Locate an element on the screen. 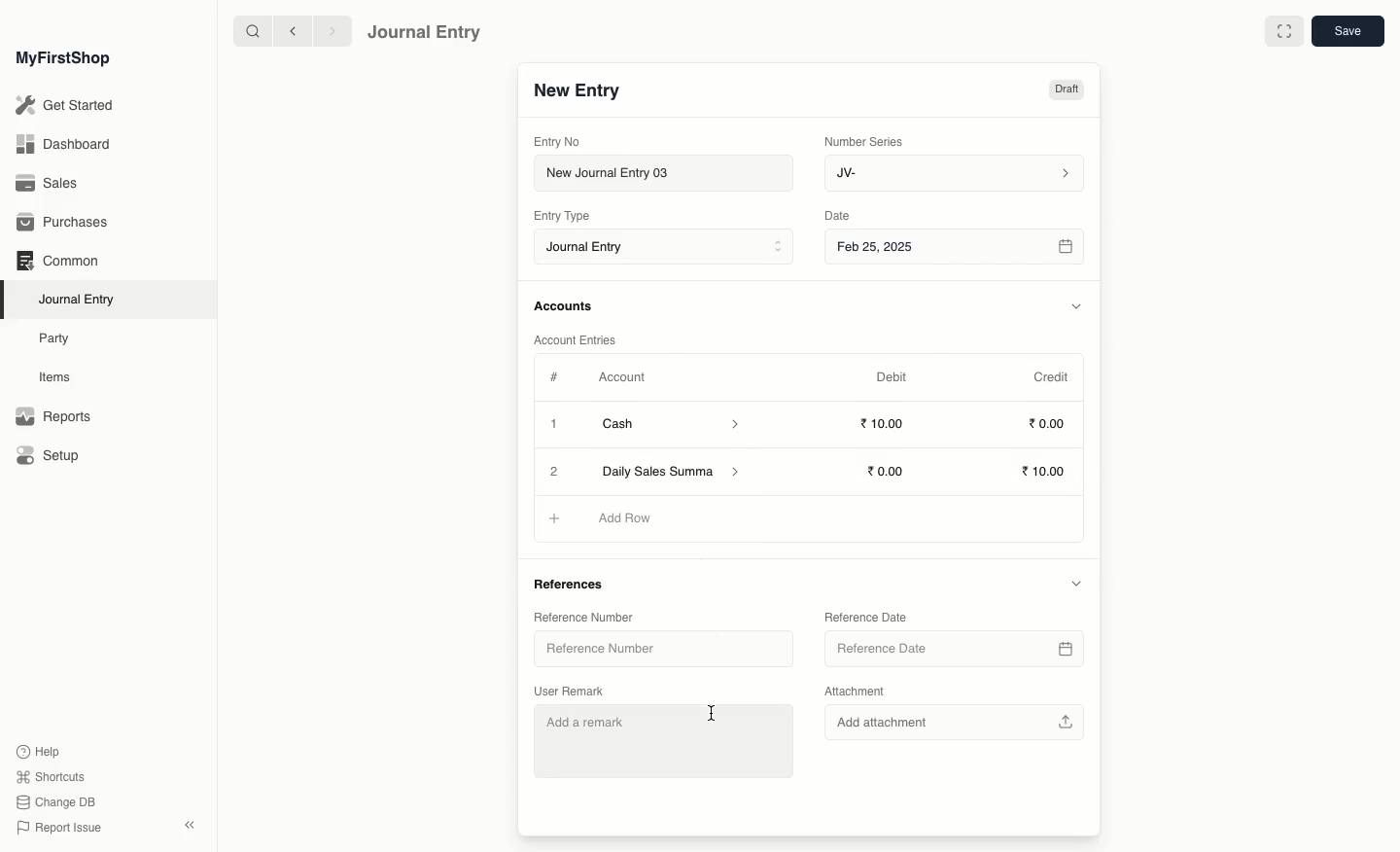  Common is located at coordinates (56, 261).